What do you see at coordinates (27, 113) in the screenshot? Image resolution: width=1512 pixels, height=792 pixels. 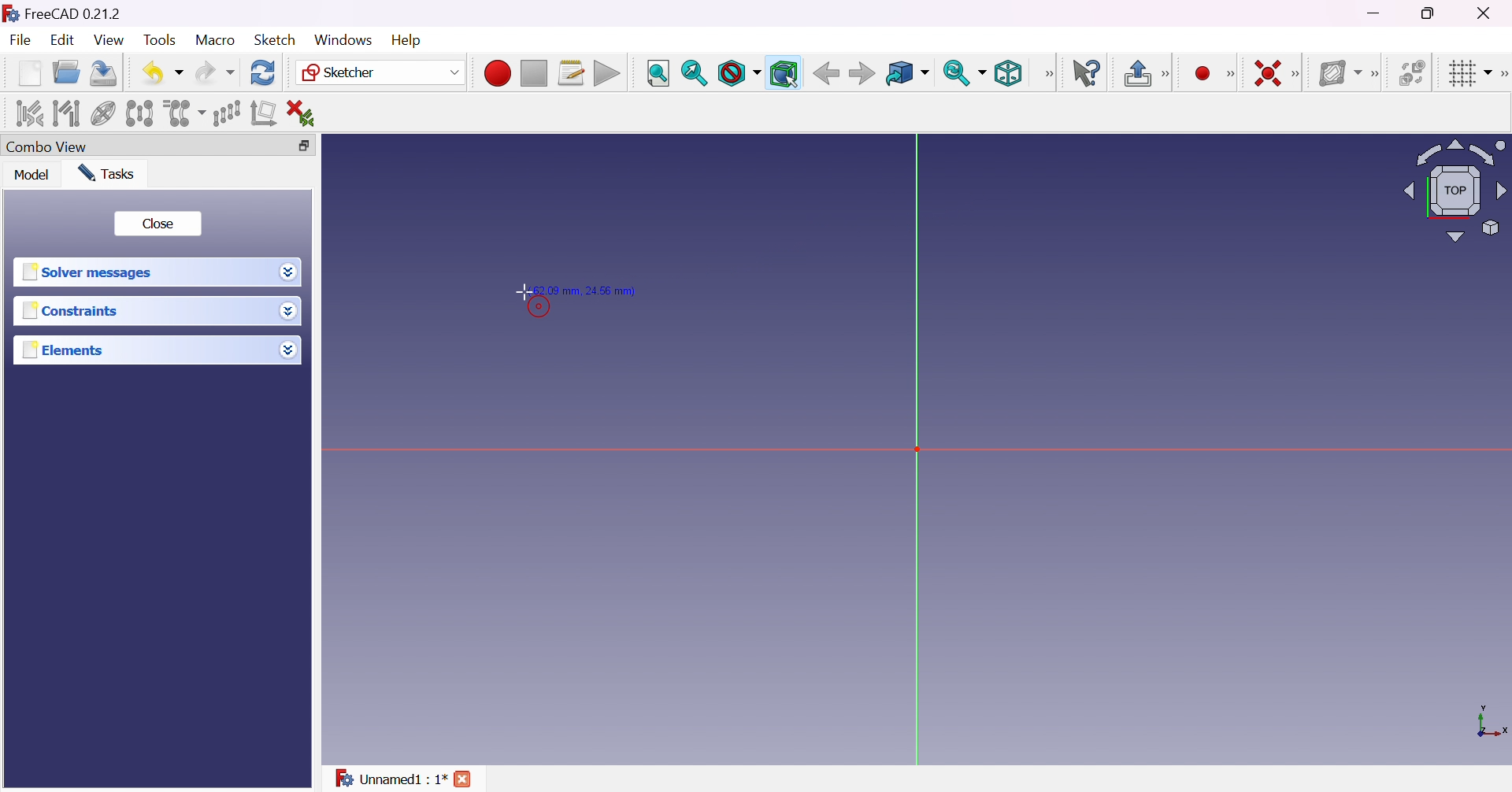 I see `Select associated constraints` at bounding box center [27, 113].